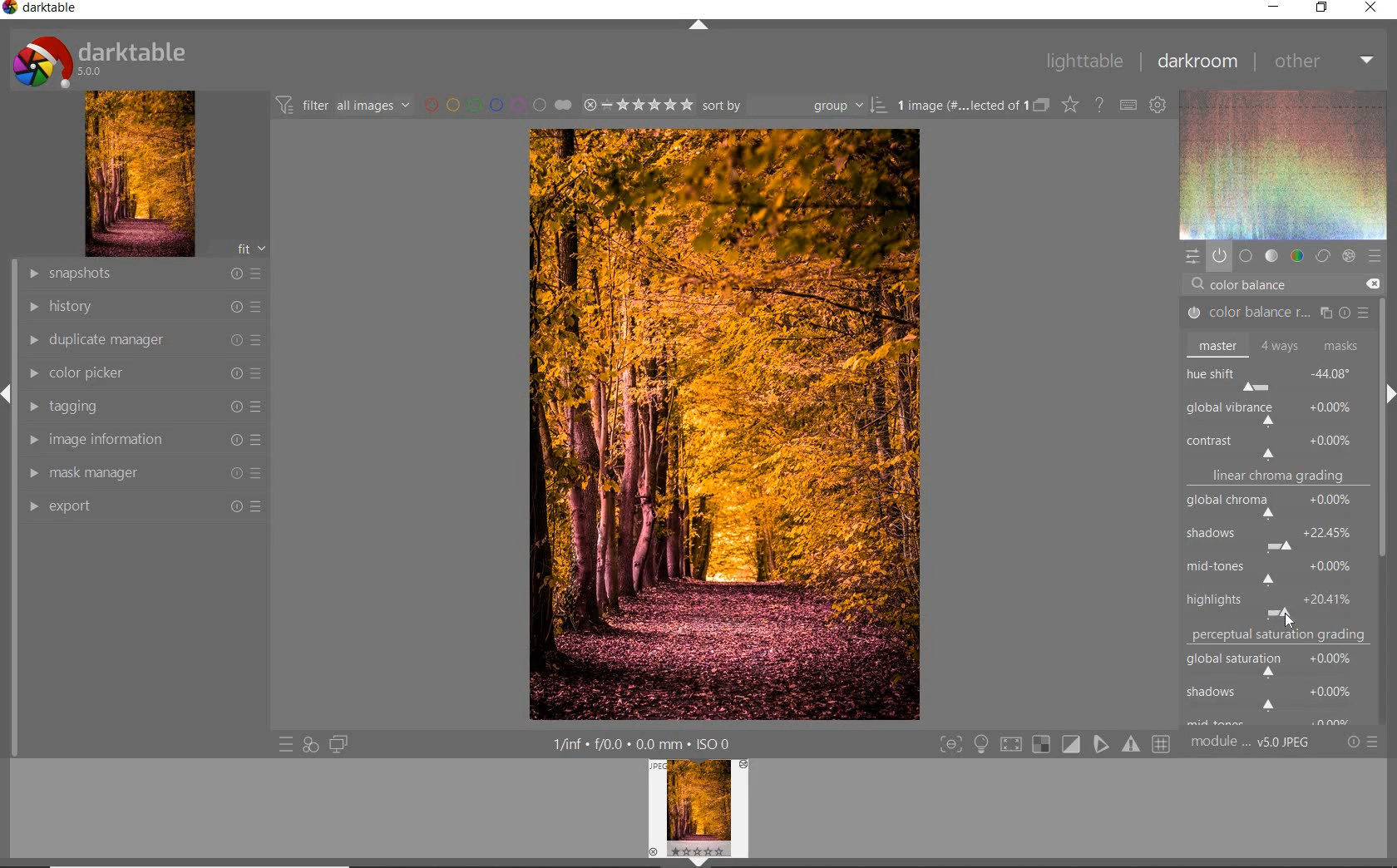 The image size is (1397, 868). Describe the element at coordinates (1374, 255) in the screenshot. I see `preset` at that location.